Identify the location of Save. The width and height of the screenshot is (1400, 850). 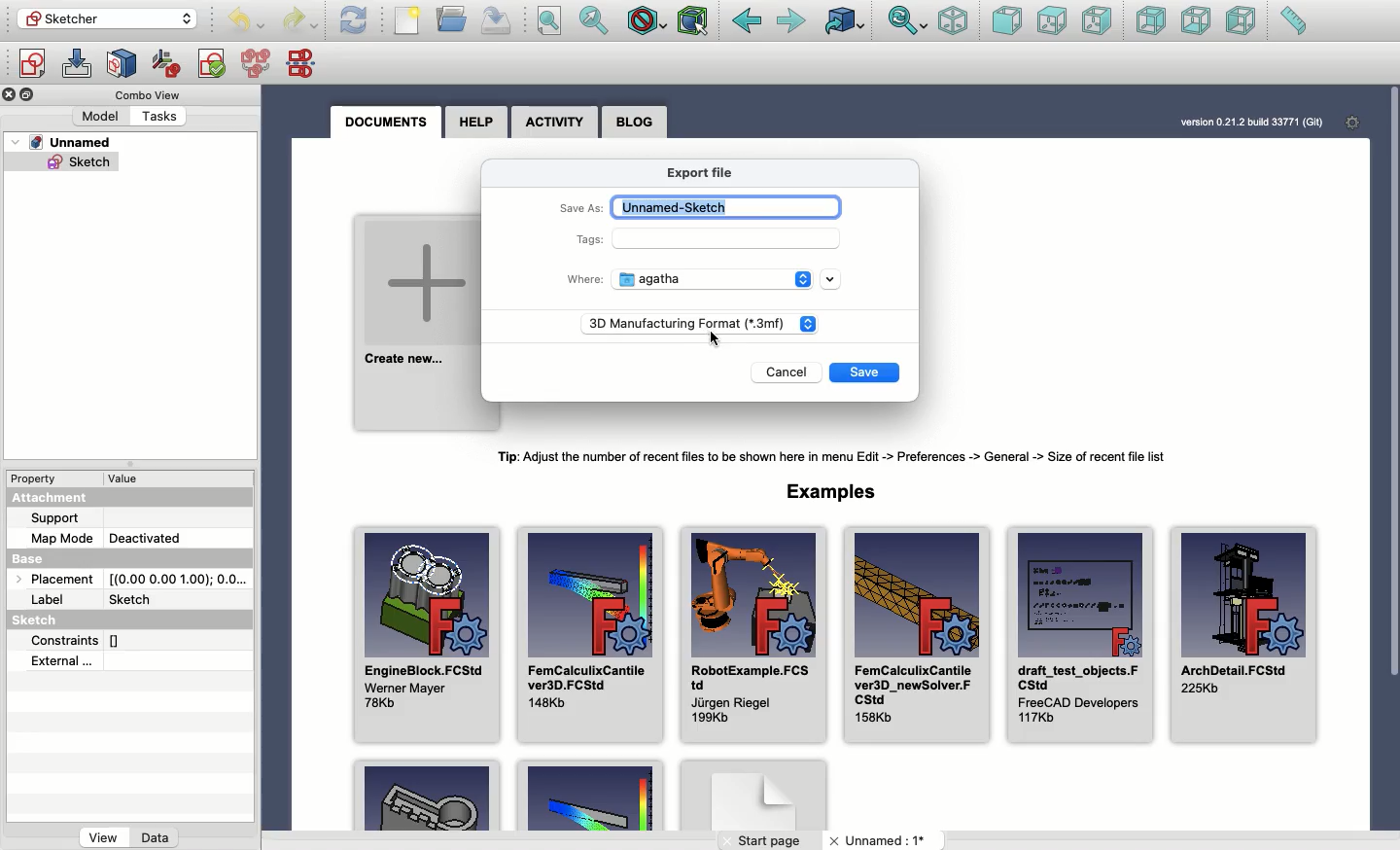
(864, 373).